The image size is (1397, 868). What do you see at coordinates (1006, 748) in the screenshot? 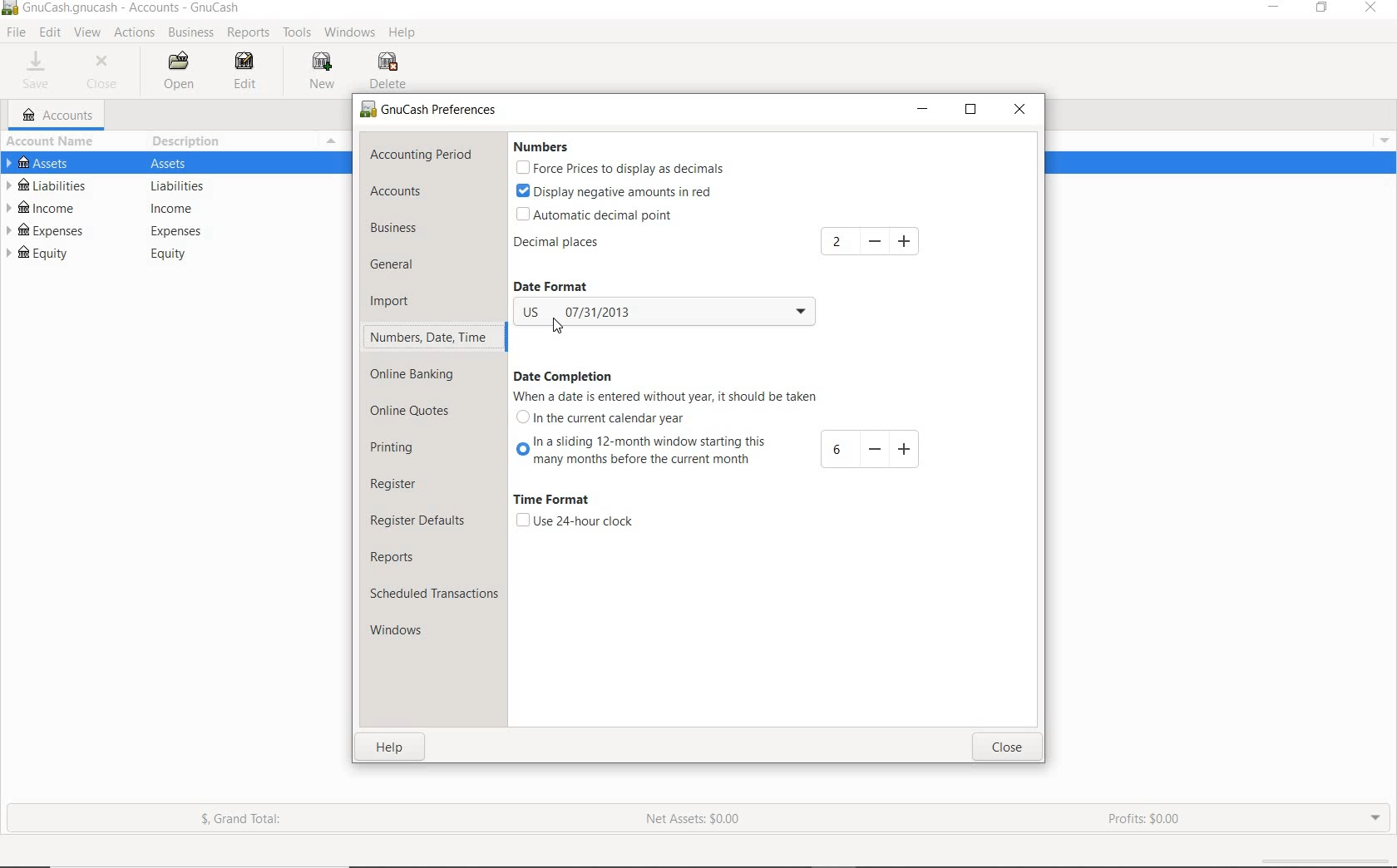
I see `close` at bounding box center [1006, 748].